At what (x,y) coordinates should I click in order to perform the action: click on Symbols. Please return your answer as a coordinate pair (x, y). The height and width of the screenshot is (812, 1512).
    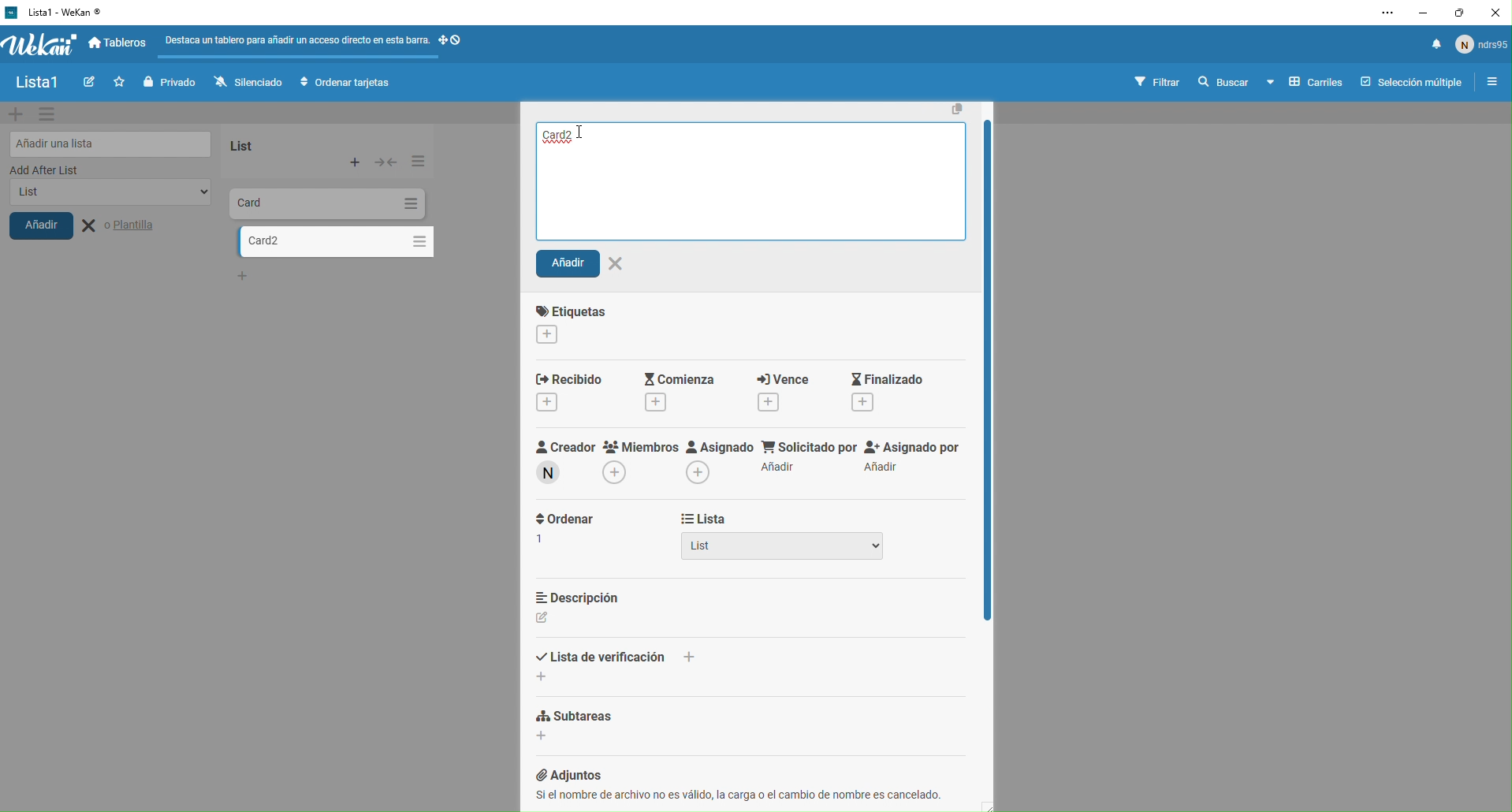
    Looking at the image, I should click on (464, 40).